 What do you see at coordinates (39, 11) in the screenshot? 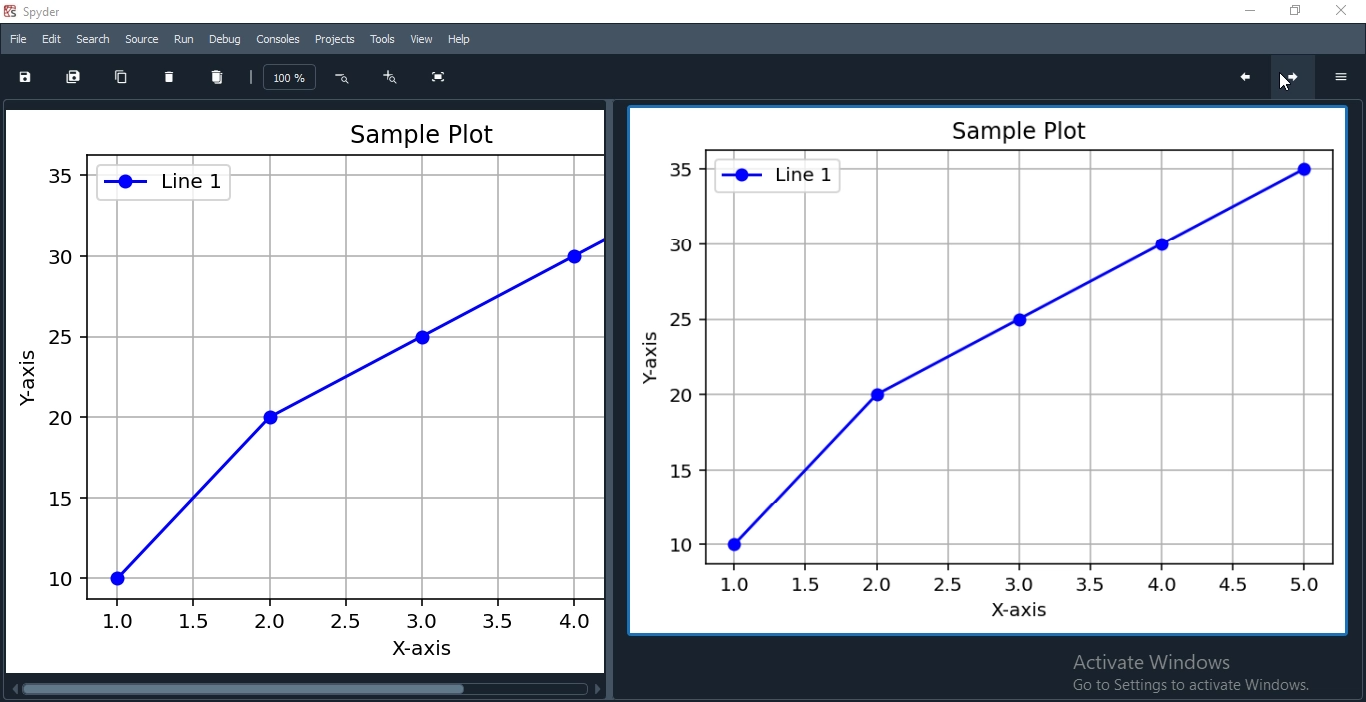
I see `spyder` at bounding box center [39, 11].